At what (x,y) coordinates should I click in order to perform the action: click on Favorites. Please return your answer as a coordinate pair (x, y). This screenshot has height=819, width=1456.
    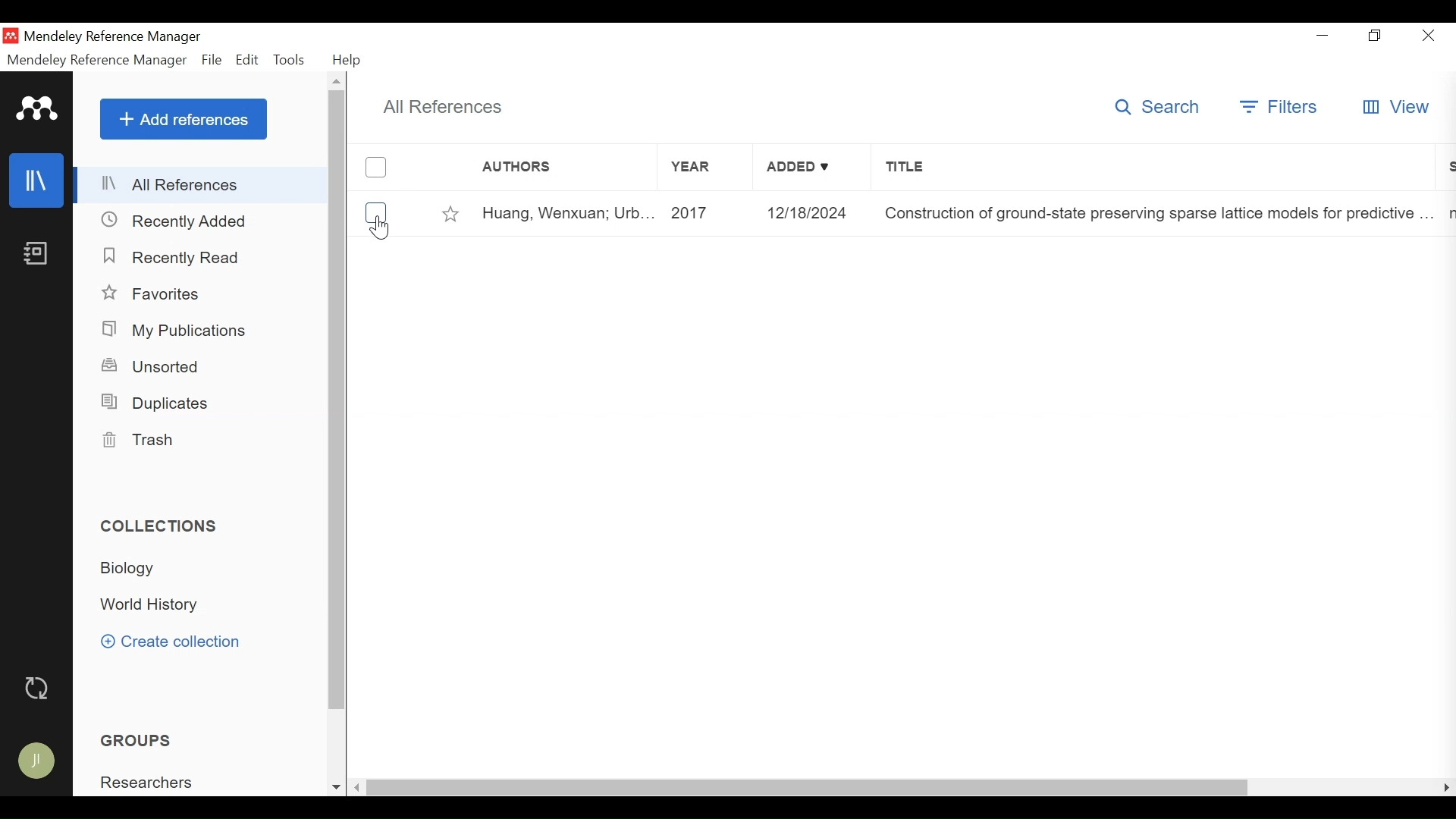
    Looking at the image, I should click on (156, 293).